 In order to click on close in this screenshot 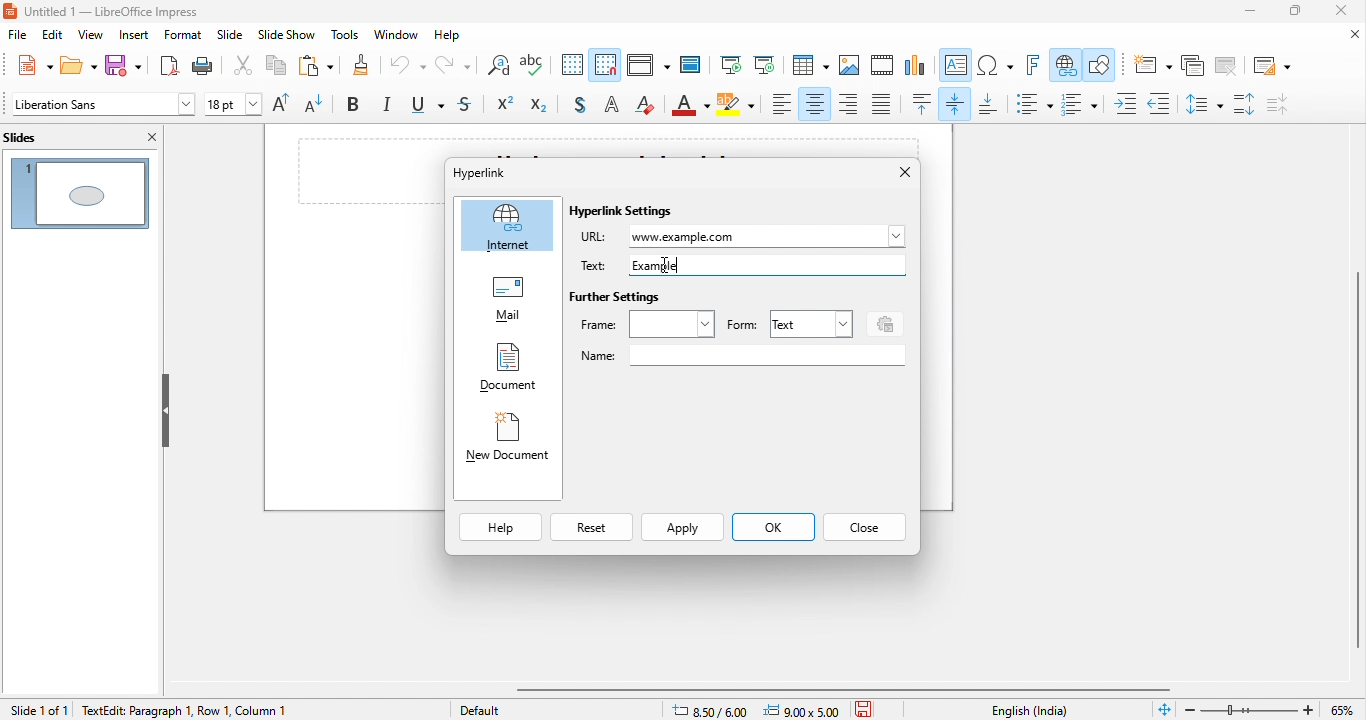, I will do `click(865, 527)`.